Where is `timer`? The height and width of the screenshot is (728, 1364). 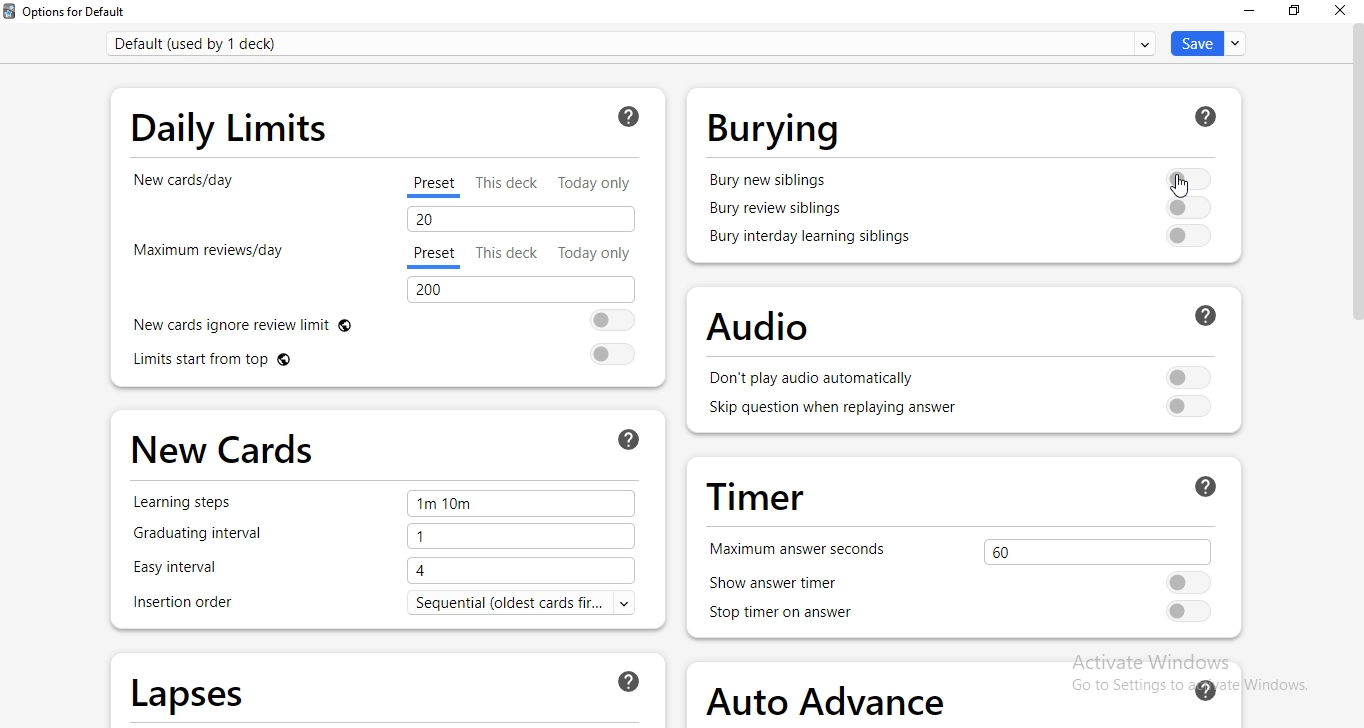 timer is located at coordinates (754, 495).